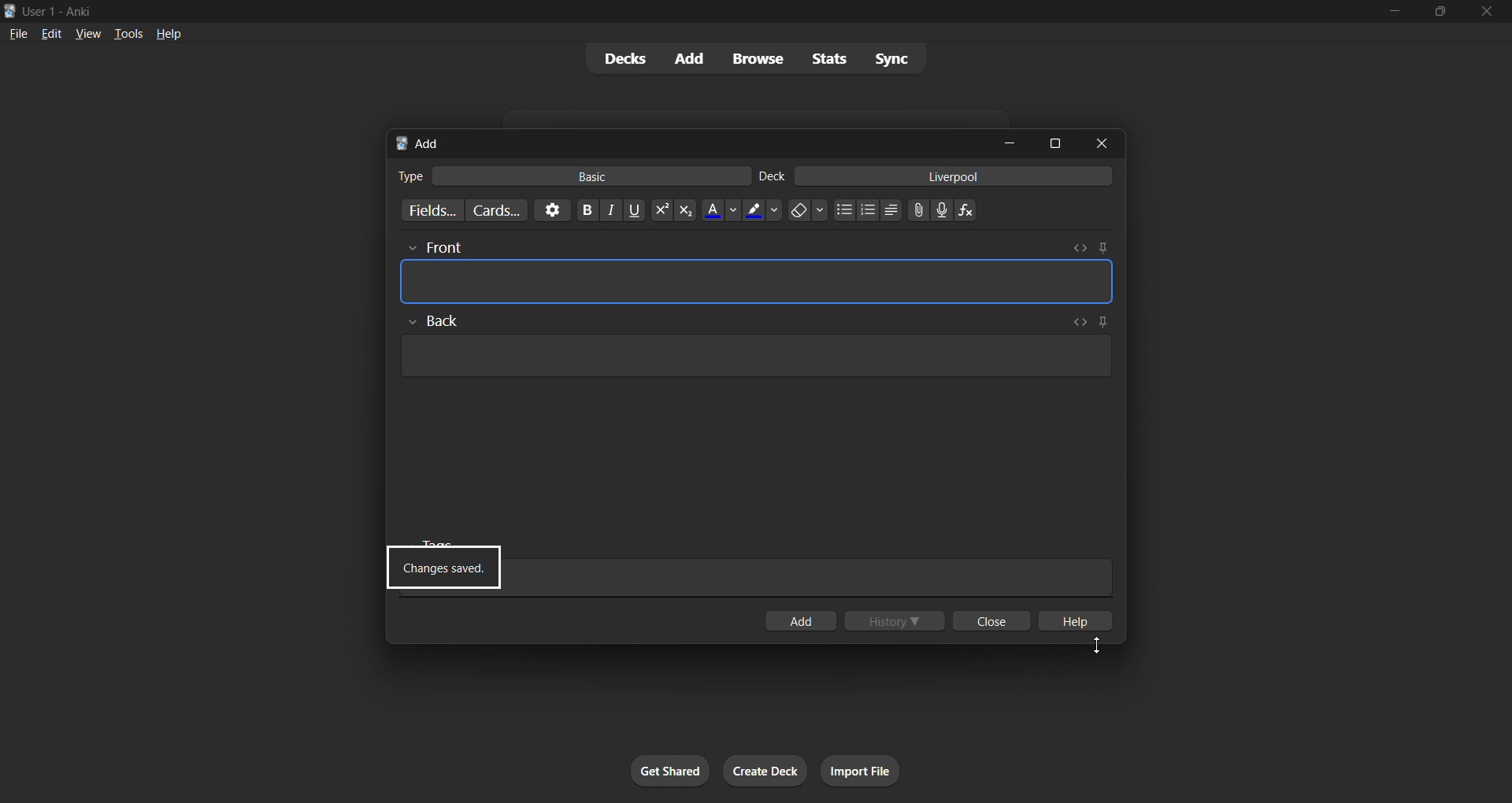 Image resolution: width=1512 pixels, height=803 pixels. I want to click on view, so click(85, 33).